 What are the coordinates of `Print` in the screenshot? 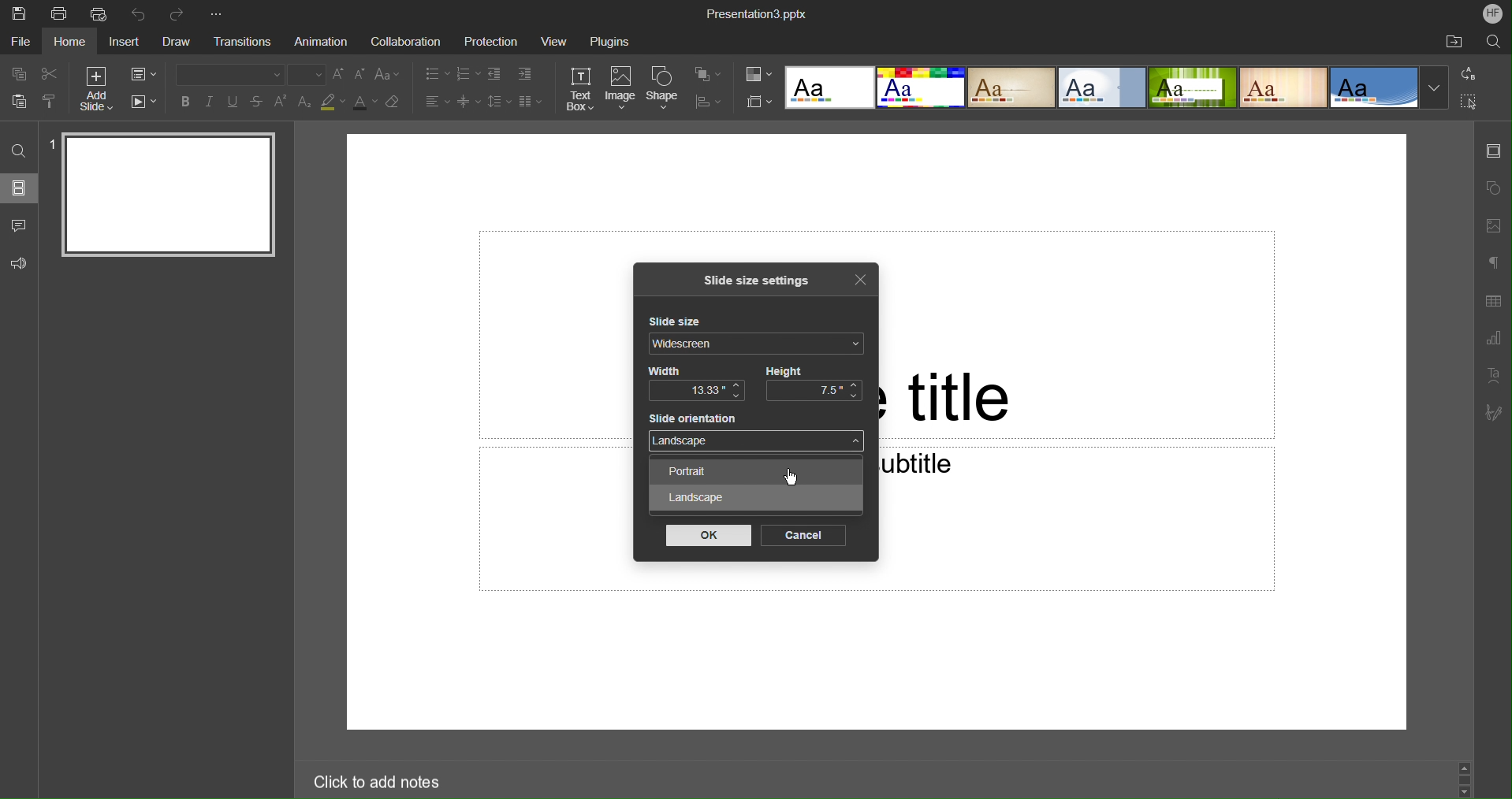 It's located at (59, 13).